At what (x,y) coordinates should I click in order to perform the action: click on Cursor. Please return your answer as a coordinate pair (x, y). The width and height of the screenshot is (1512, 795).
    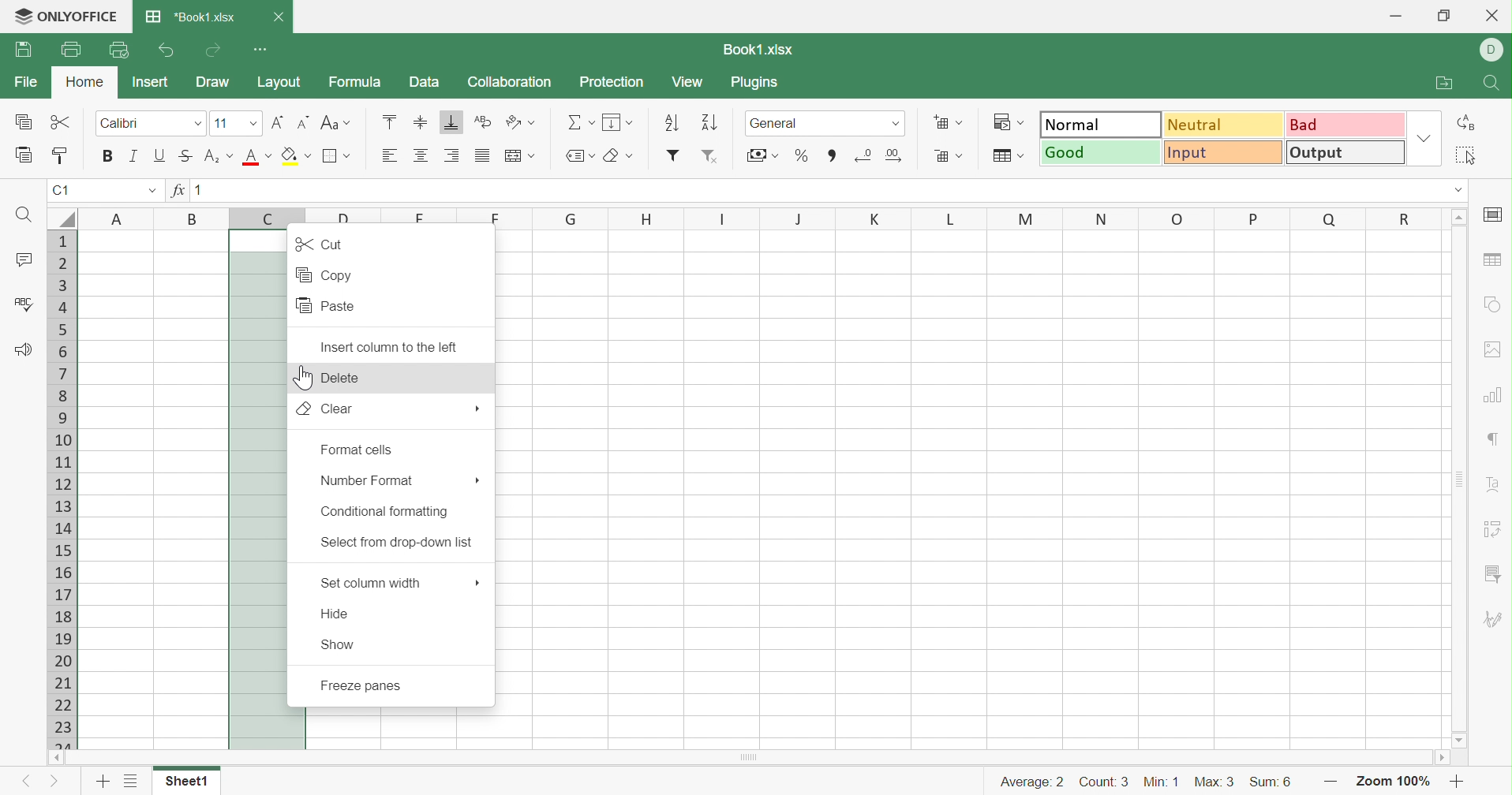
    Looking at the image, I should click on (301, 377).